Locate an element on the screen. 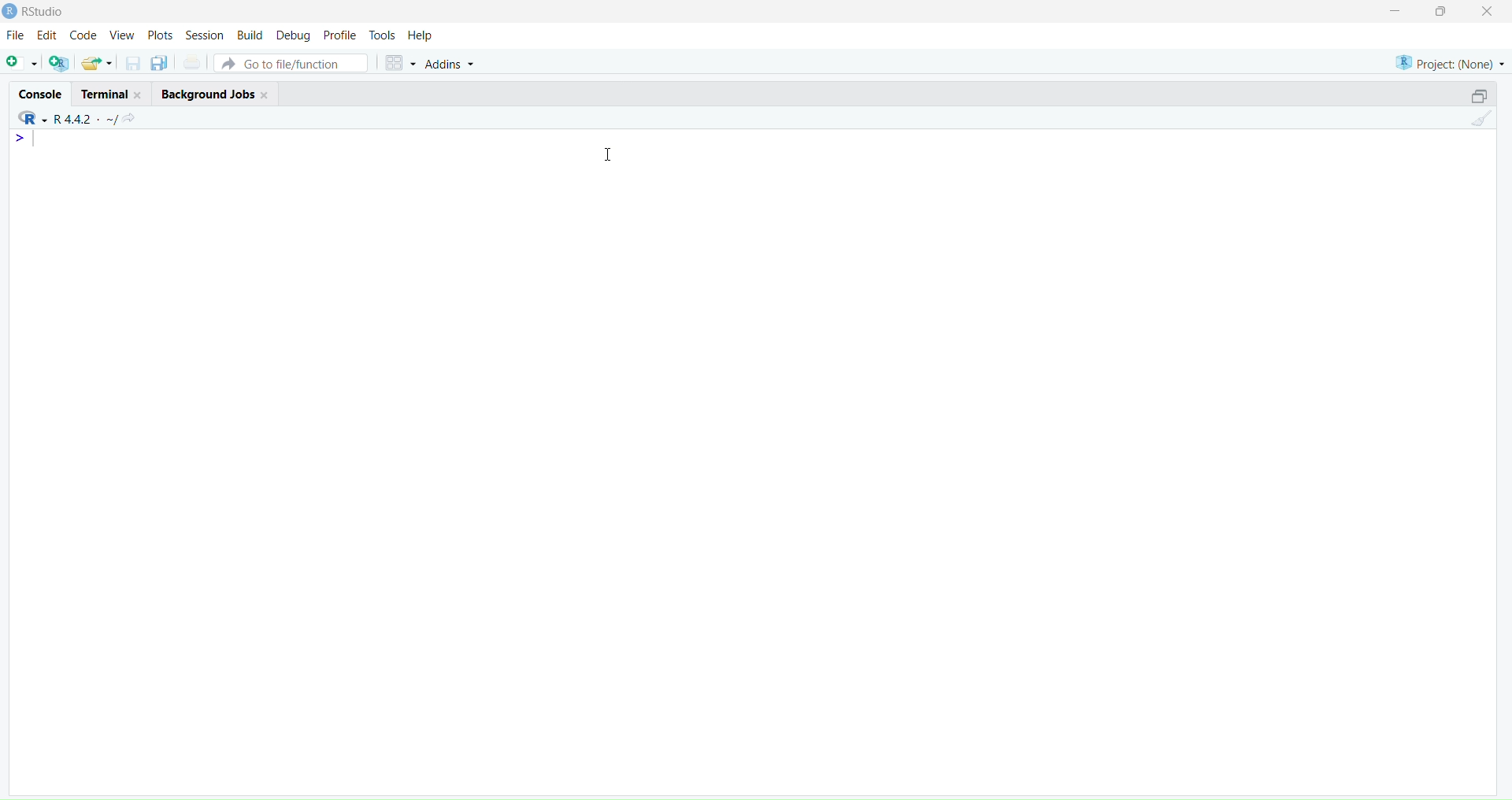  > is located at coordinates (24, 139).